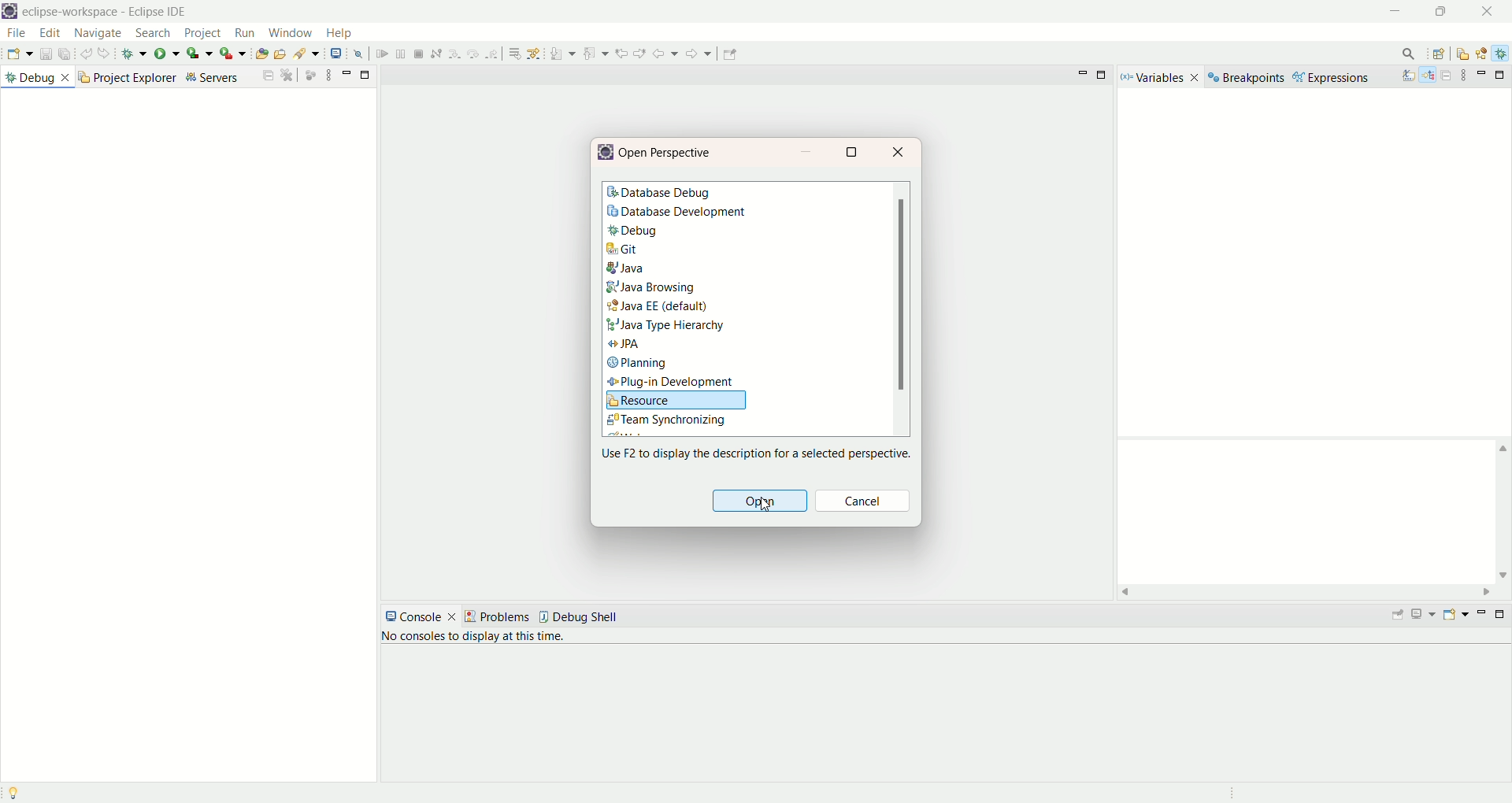 The width and height of the screenshot is (1512, 803). What do you see at coordinates (1484, 52) in the screenshot?
I see `java EE` at bounding box center [1484, 52].